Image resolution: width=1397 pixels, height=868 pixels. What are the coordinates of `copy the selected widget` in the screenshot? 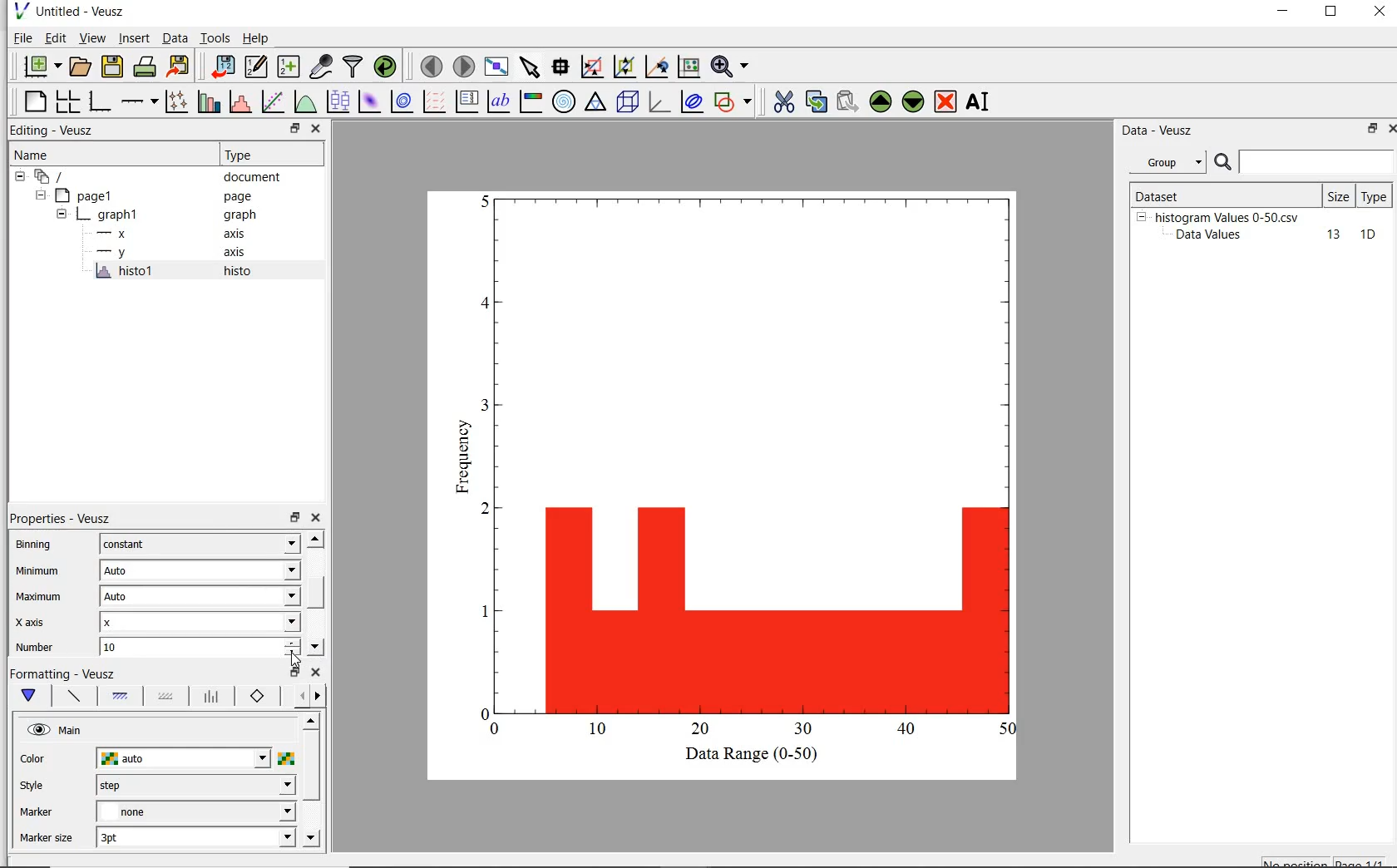 It's located at (815, 104).